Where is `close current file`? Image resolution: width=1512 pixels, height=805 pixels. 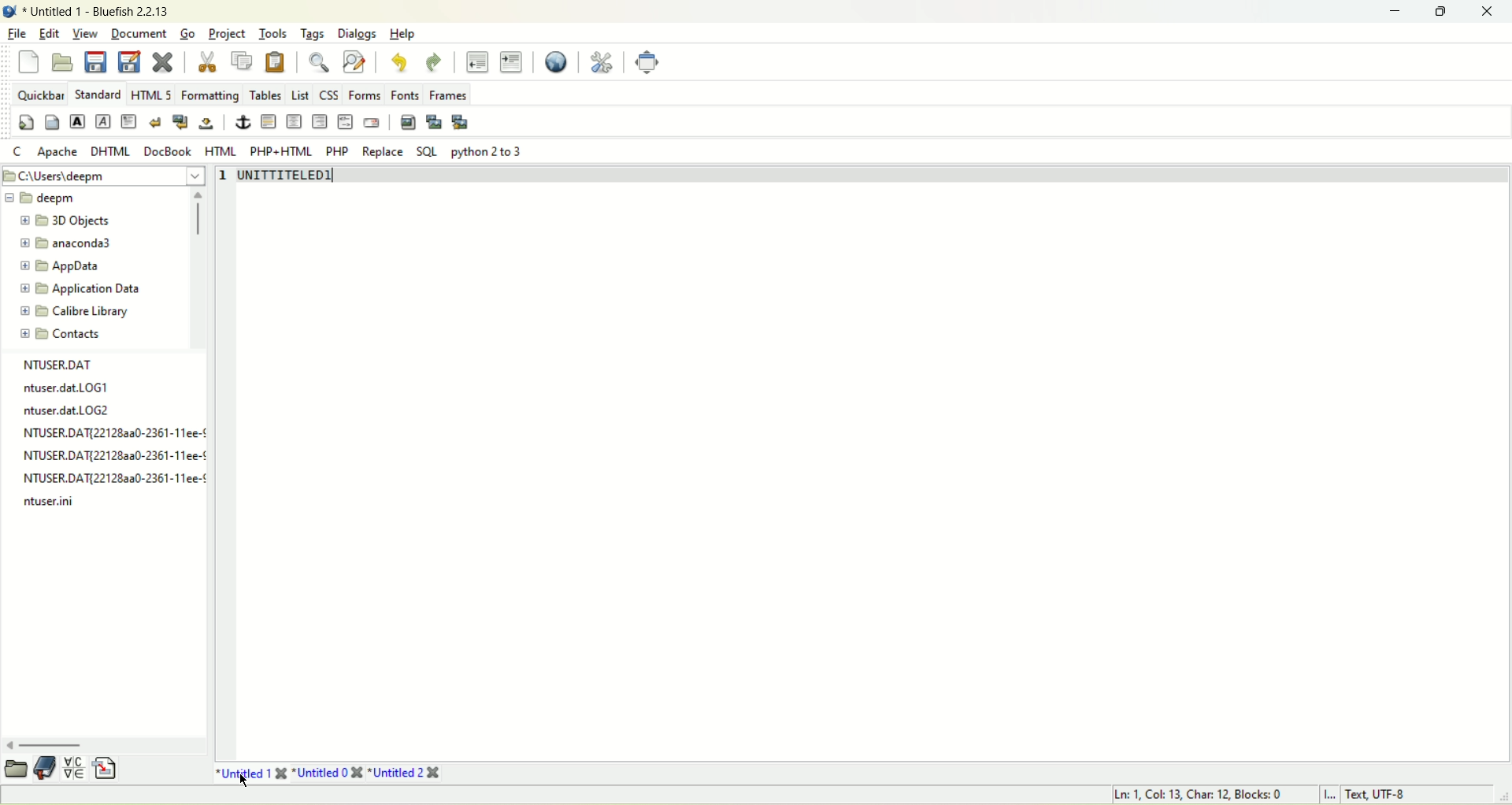
close current file is located at coordinates (161, 63).